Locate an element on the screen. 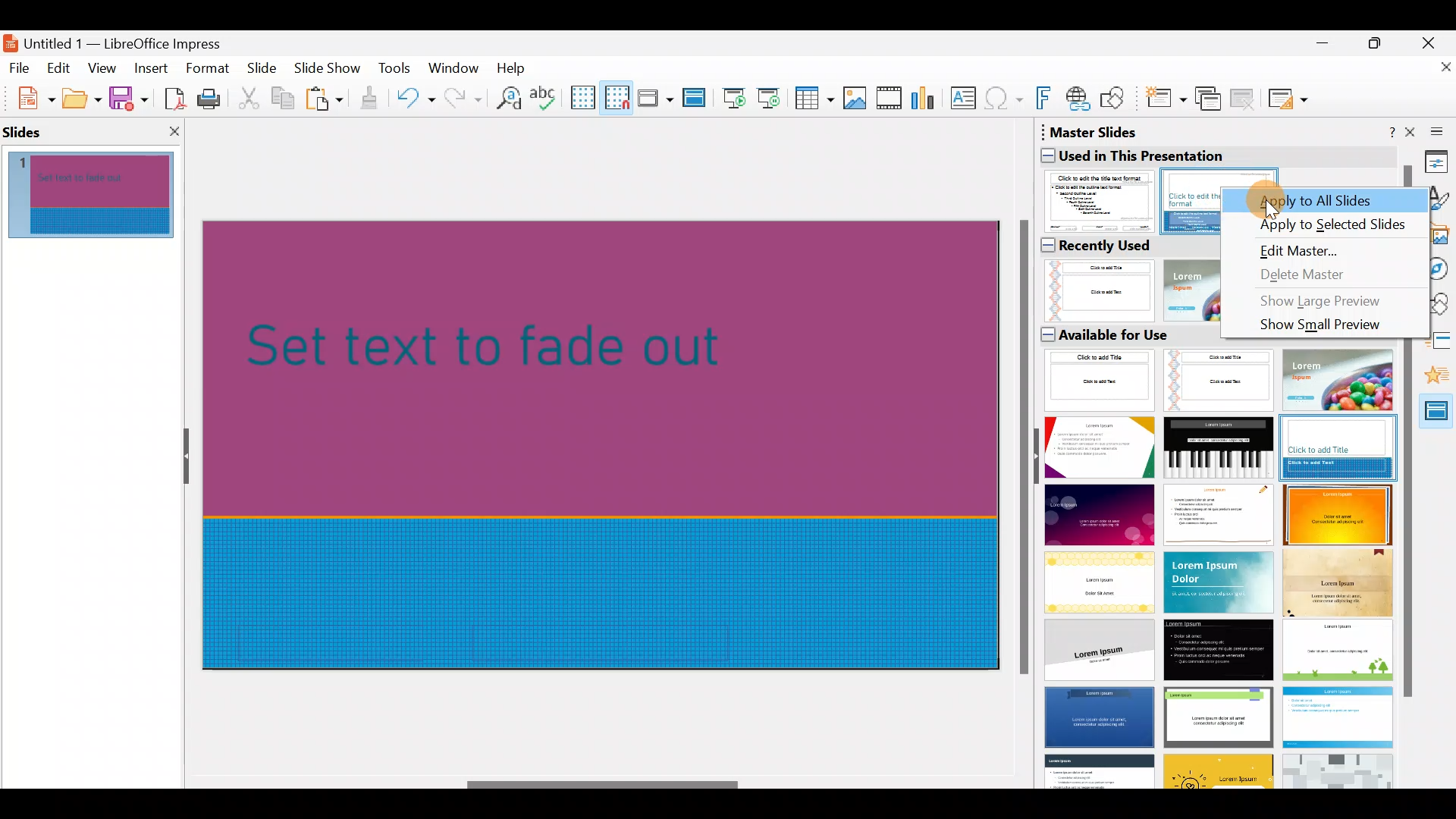  Maximise is located at coordinates (1379, 46).